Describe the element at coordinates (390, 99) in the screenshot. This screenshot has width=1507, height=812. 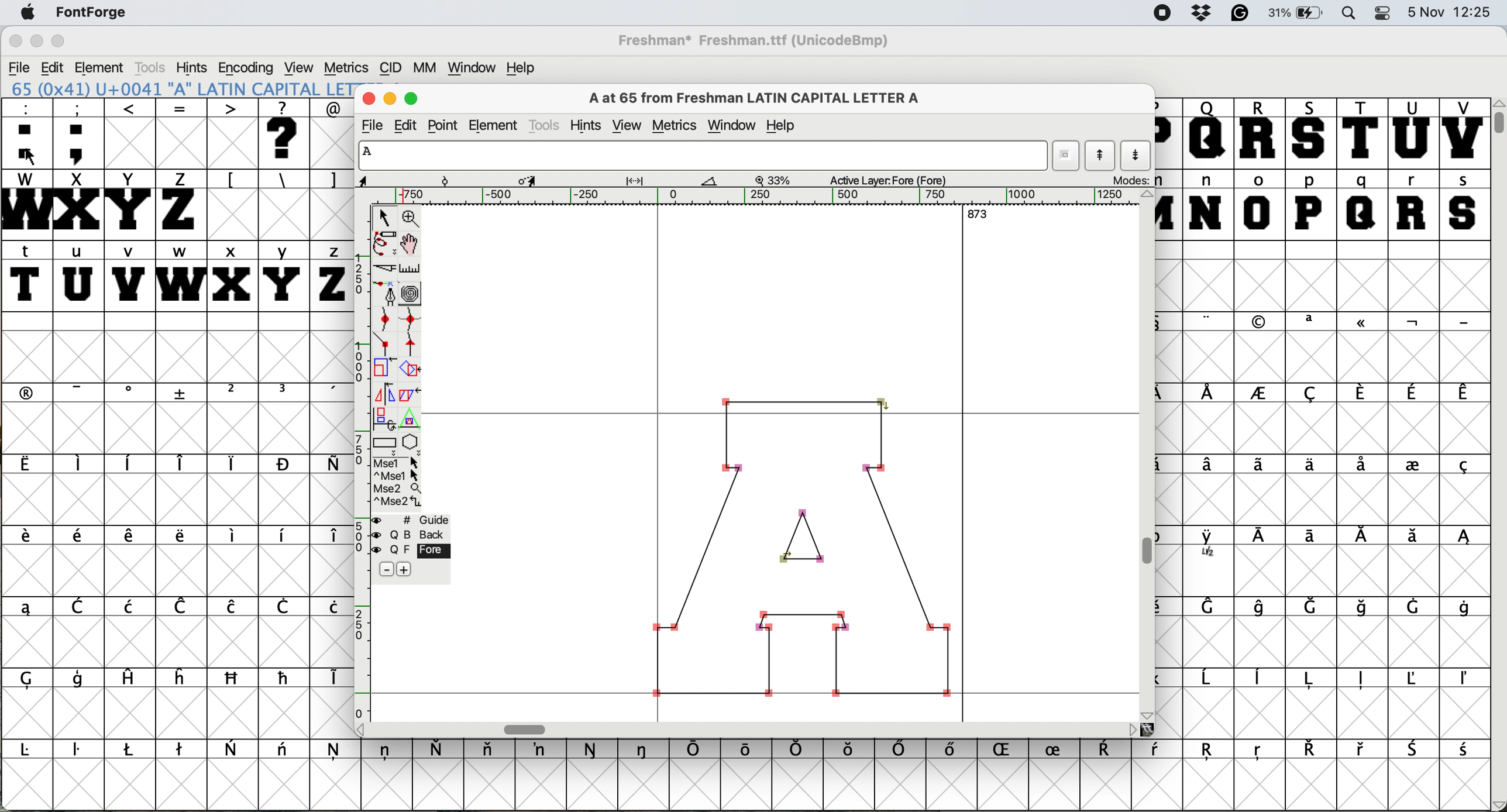
I see `minimise` at that location.